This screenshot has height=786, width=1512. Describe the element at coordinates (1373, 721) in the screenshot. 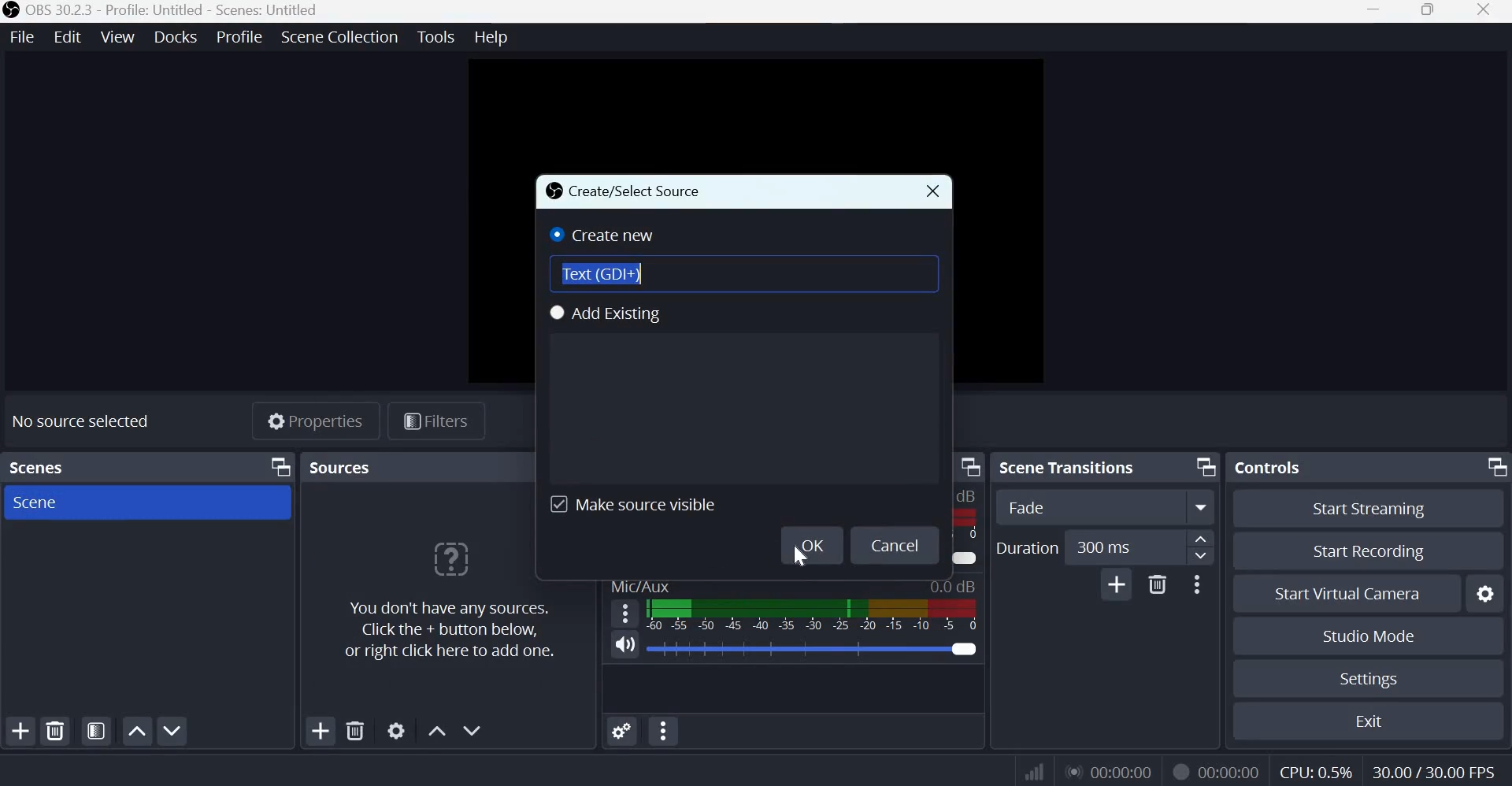

I see `Exit` at that location.